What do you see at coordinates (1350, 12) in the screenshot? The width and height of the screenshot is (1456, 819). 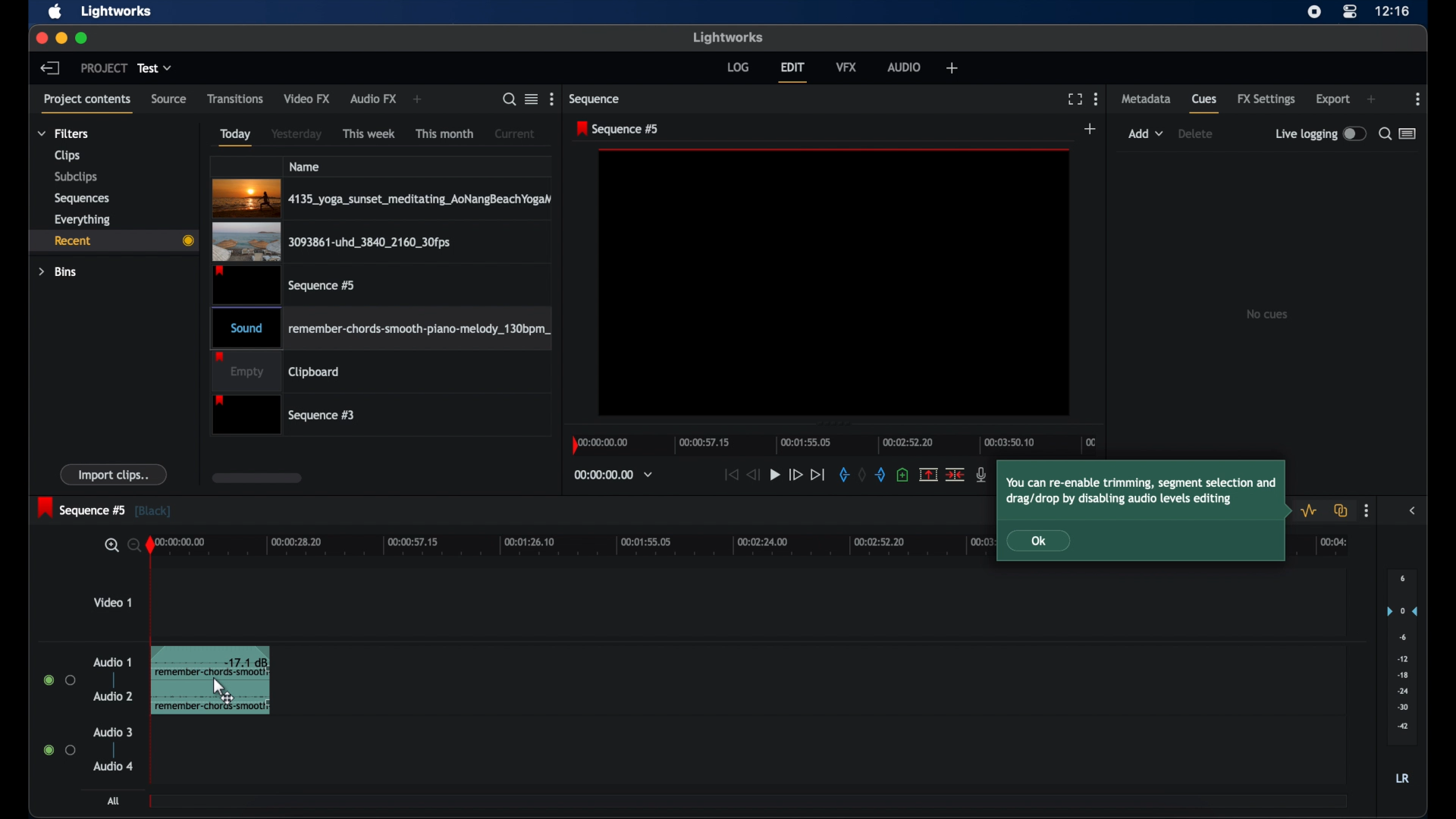 I see `control center` at bounding box center [1350, 12].